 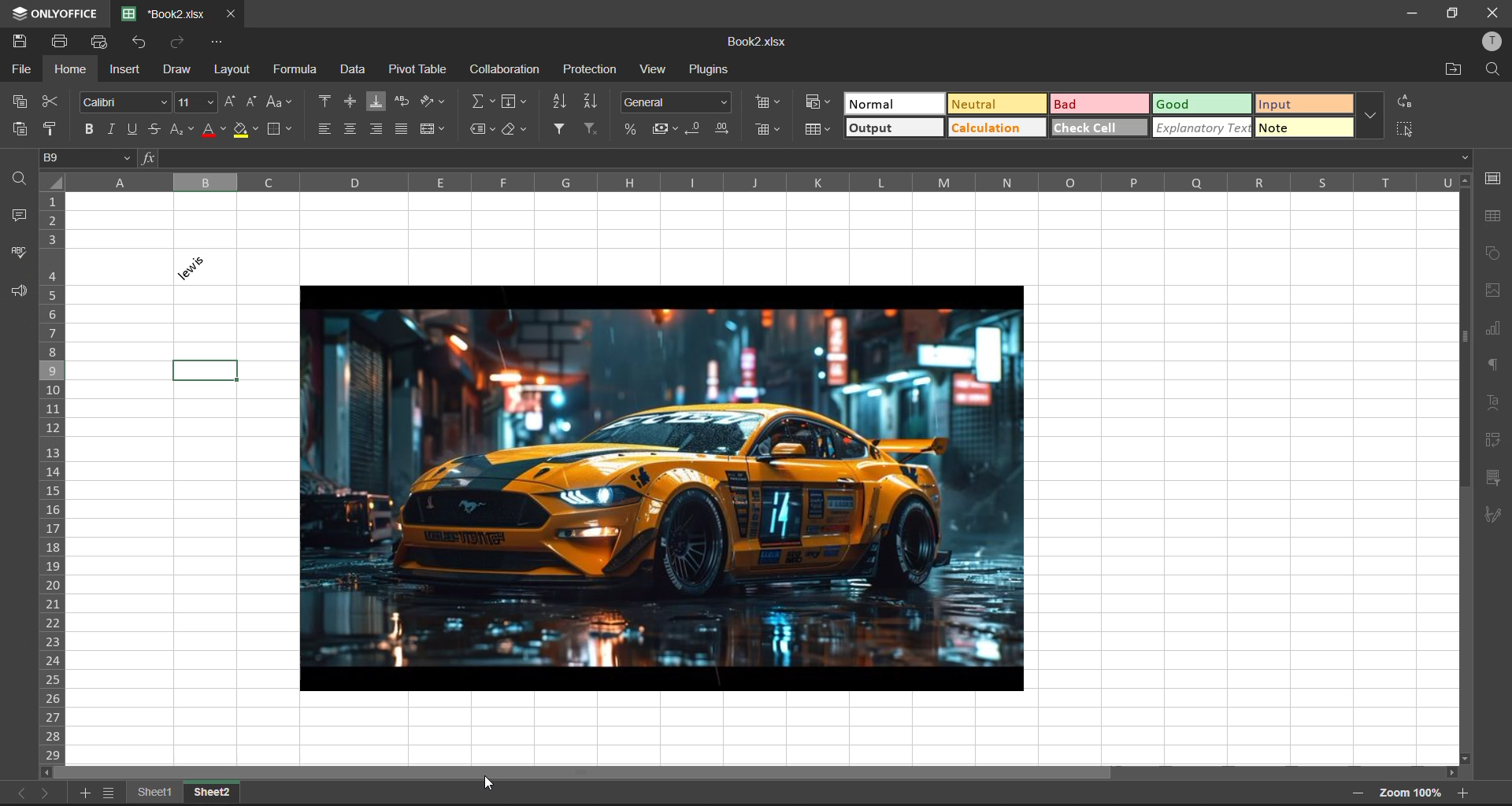 What do you see at coordinates (1361, 792) in the screenshot?
I see `zoom out` at bounding box center [1361, 792].